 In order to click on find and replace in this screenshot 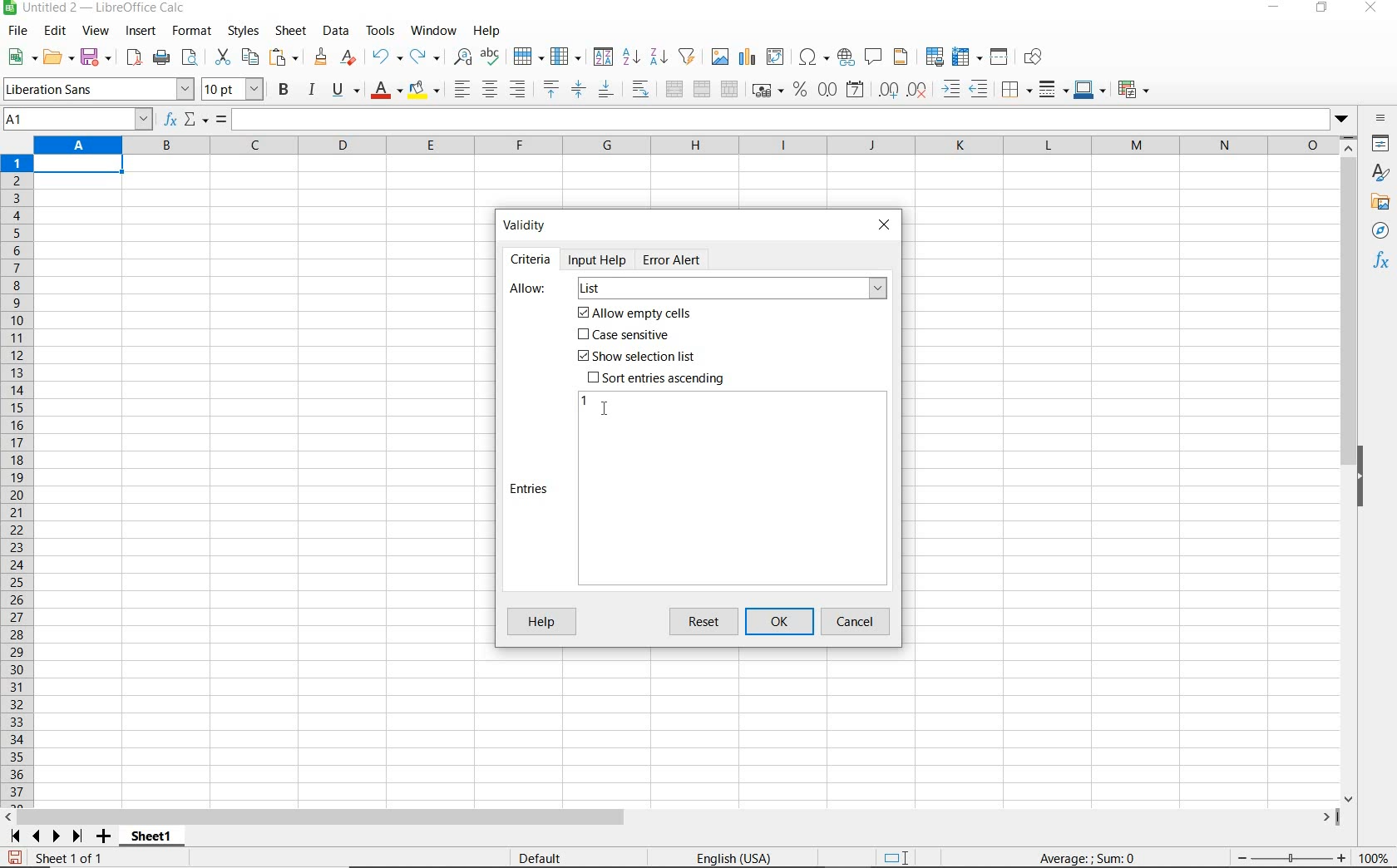, I will do `click(462, 57)`.